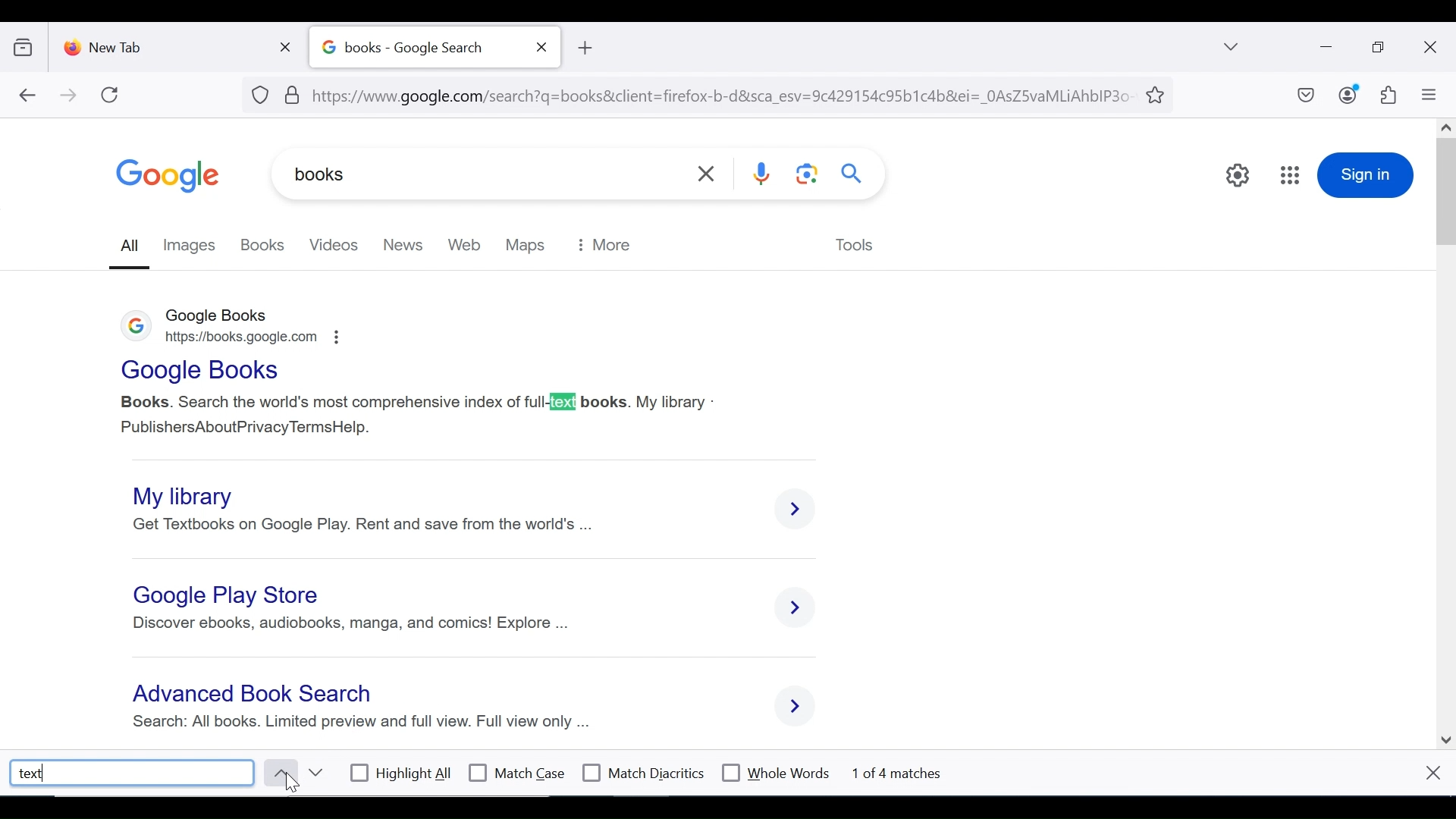 Image resolution: width=1456 pixels, height=819 pixels. What do you see at coordinates (418, 48) in the screenshot?
I see `books - Google Search` at bounding box center [418, 48].